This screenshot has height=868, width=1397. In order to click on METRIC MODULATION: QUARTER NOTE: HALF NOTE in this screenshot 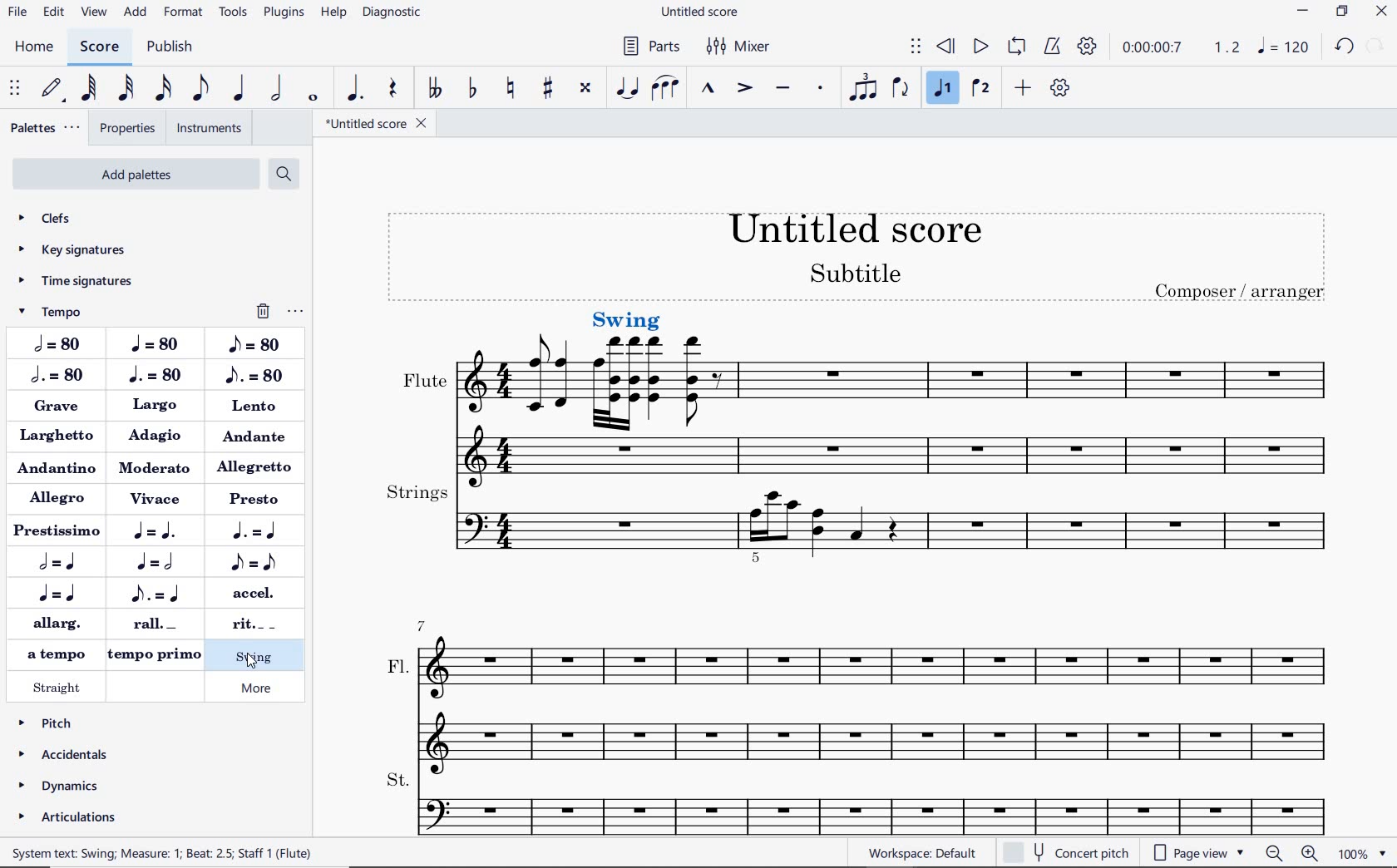, I will do `click(158, 562)`.